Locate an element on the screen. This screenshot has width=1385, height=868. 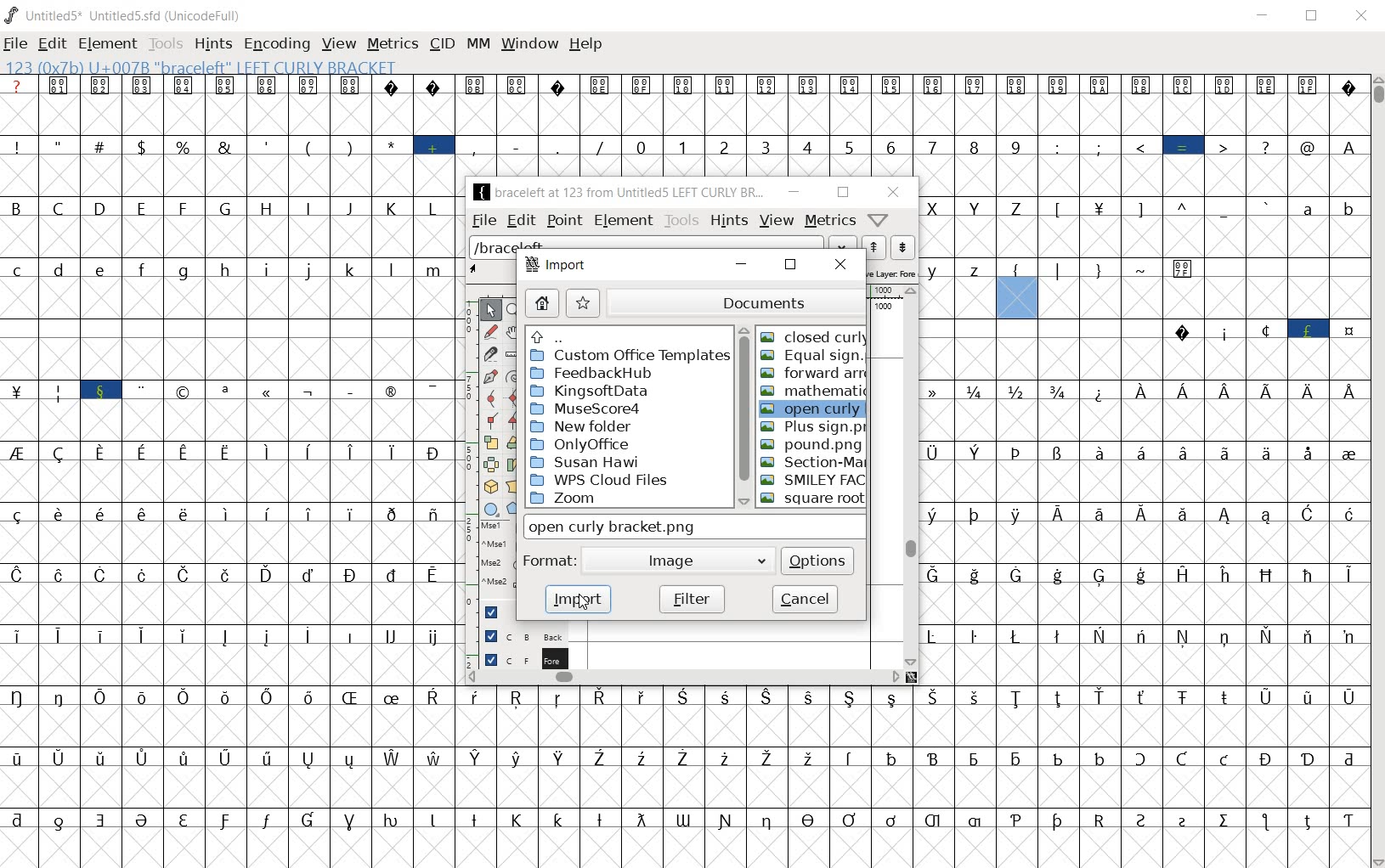
scrollbar is located at coordinates (744, 417).